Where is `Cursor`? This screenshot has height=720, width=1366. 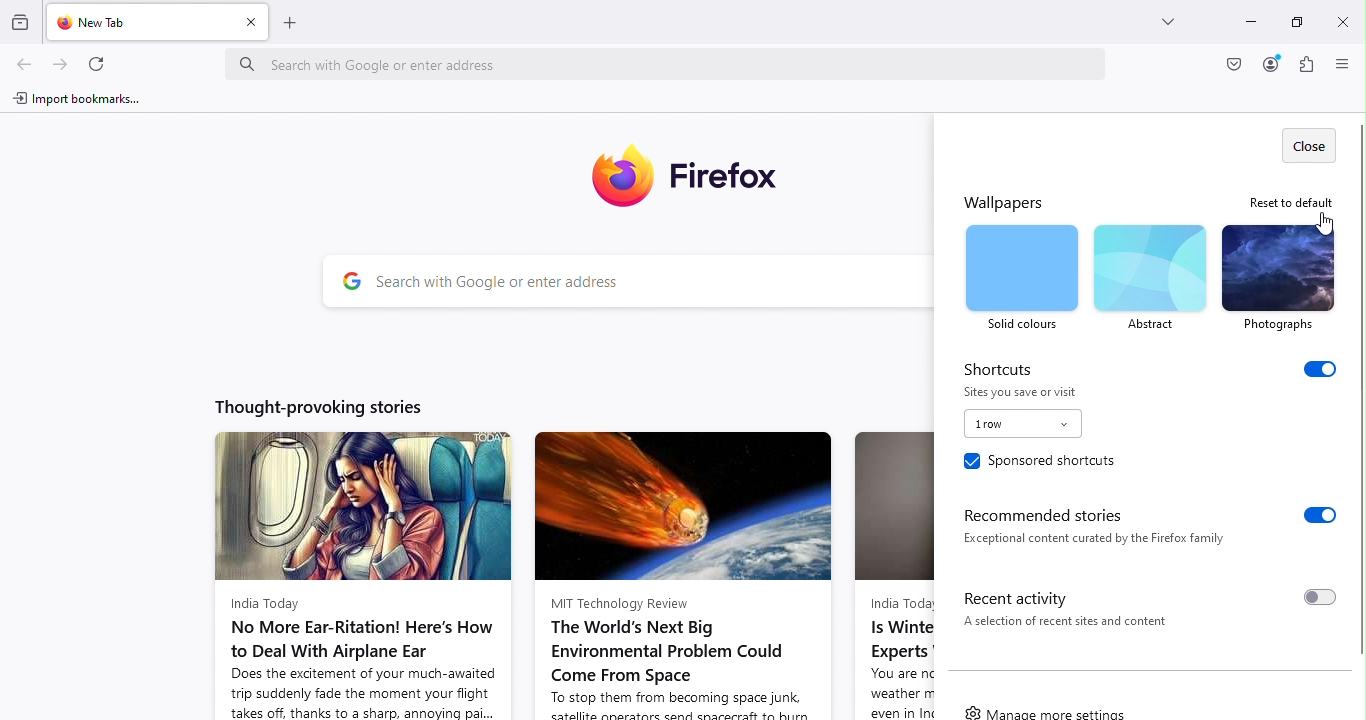
Cursor is located at coordinates (1323, 235).